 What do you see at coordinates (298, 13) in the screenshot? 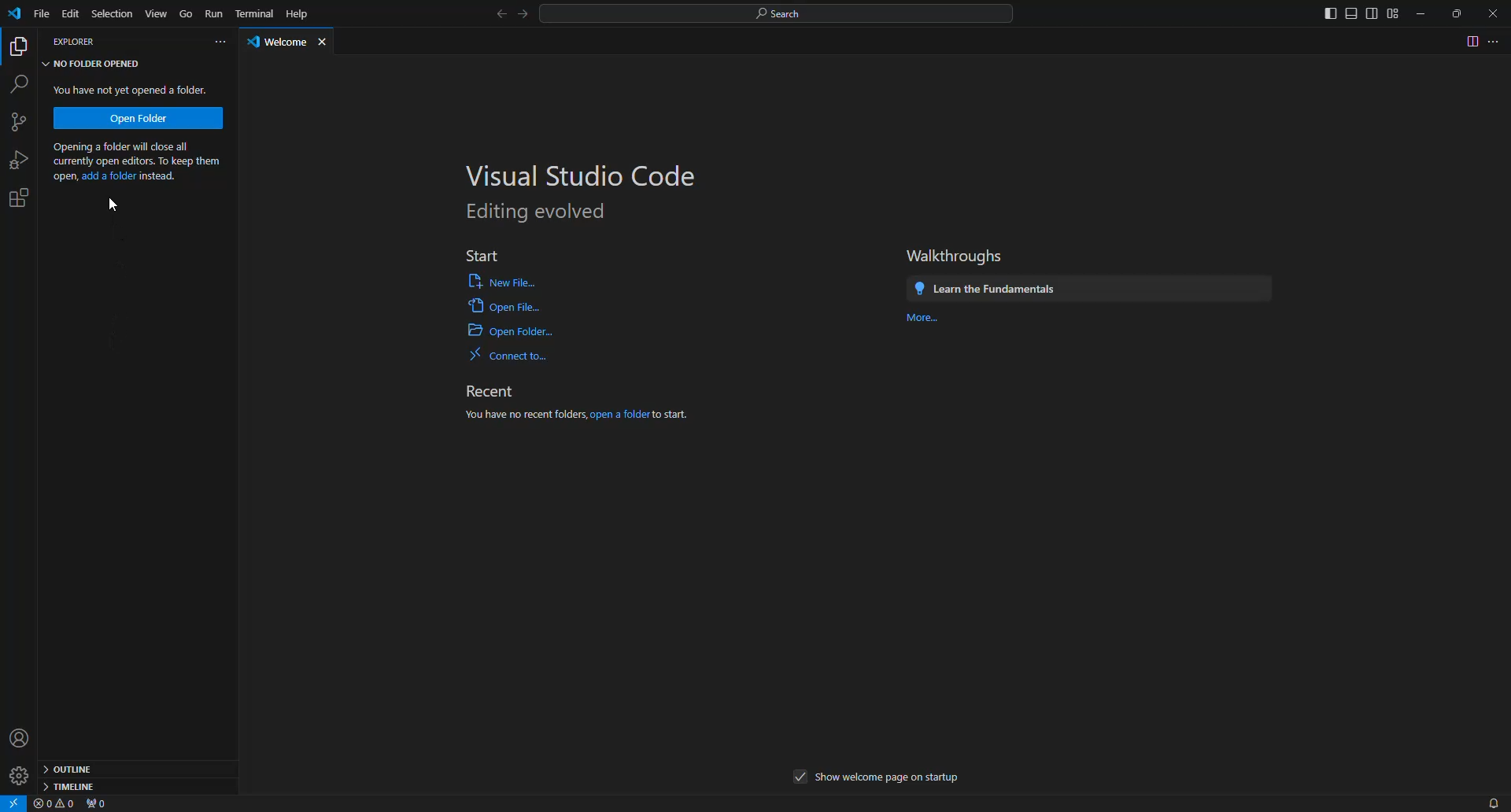
I see `help` at bounding box center [298, 13].